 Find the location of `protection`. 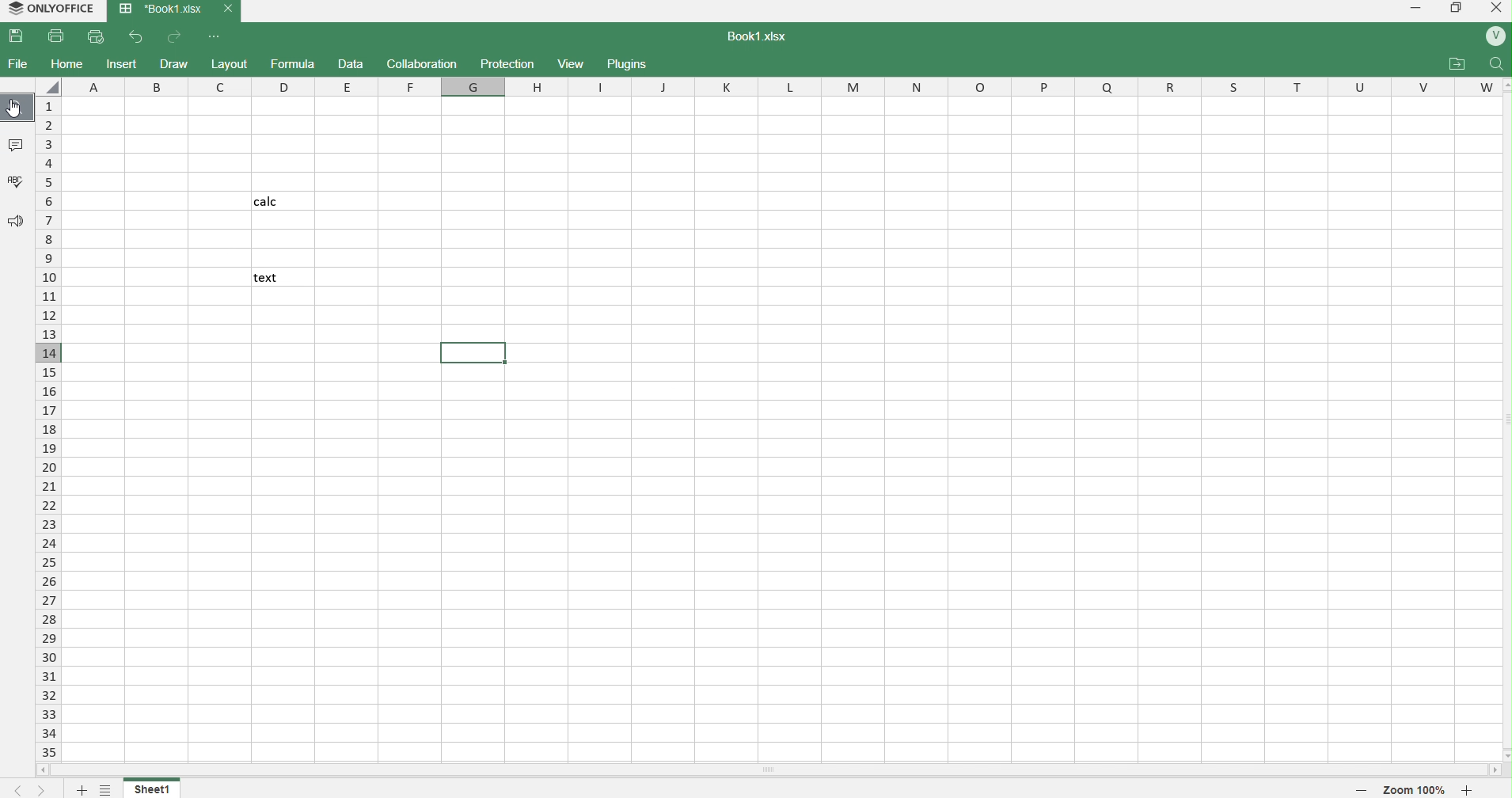

protection is located at coordinates (507, 63).